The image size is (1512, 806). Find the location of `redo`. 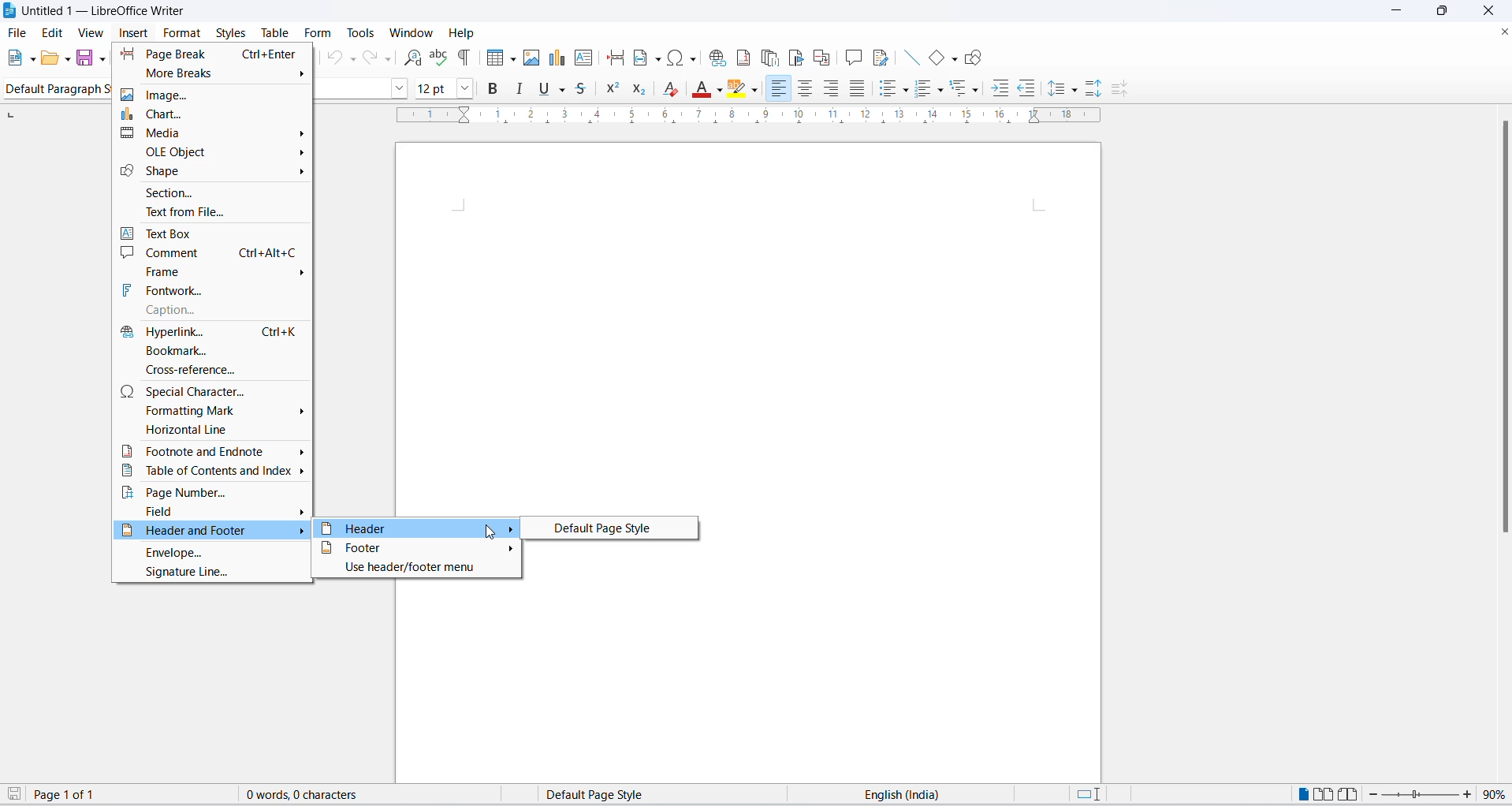

redo is located at coordinates (378, 58).